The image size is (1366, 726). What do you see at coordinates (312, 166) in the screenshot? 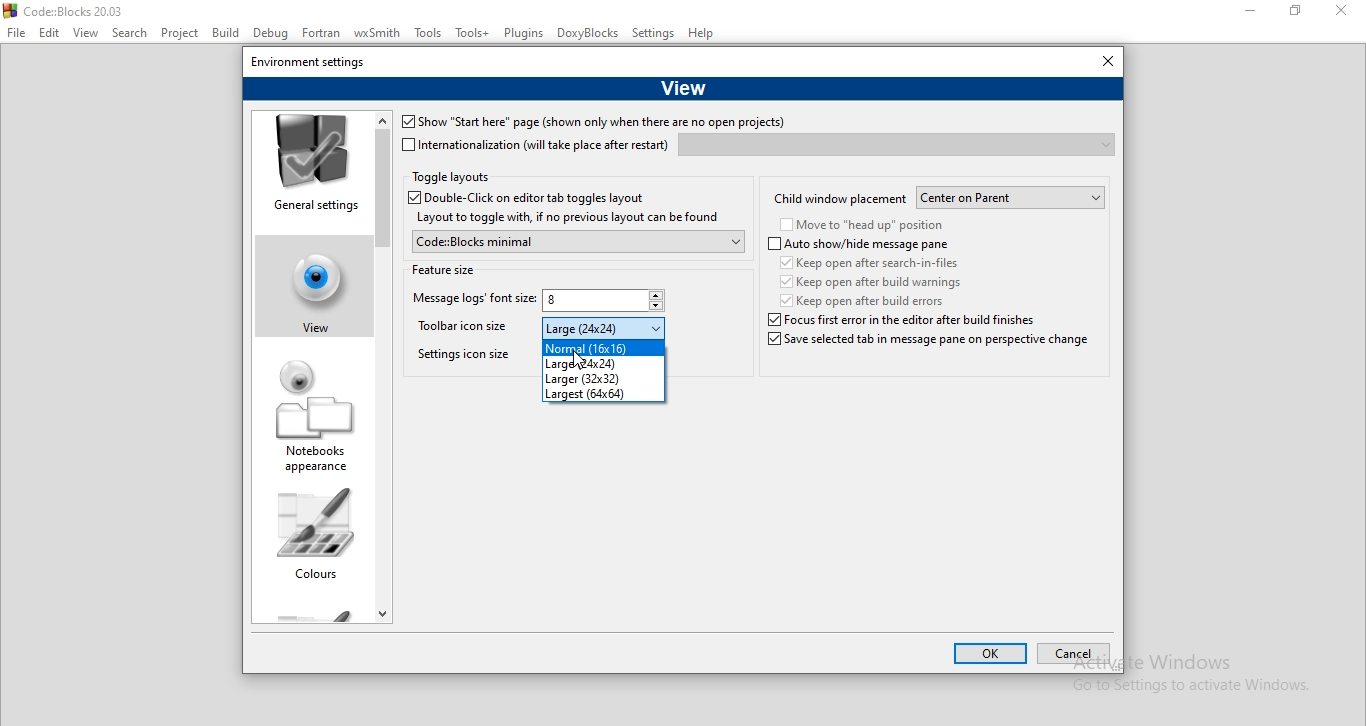
I see `general settings` at bounding box center [312, 166].